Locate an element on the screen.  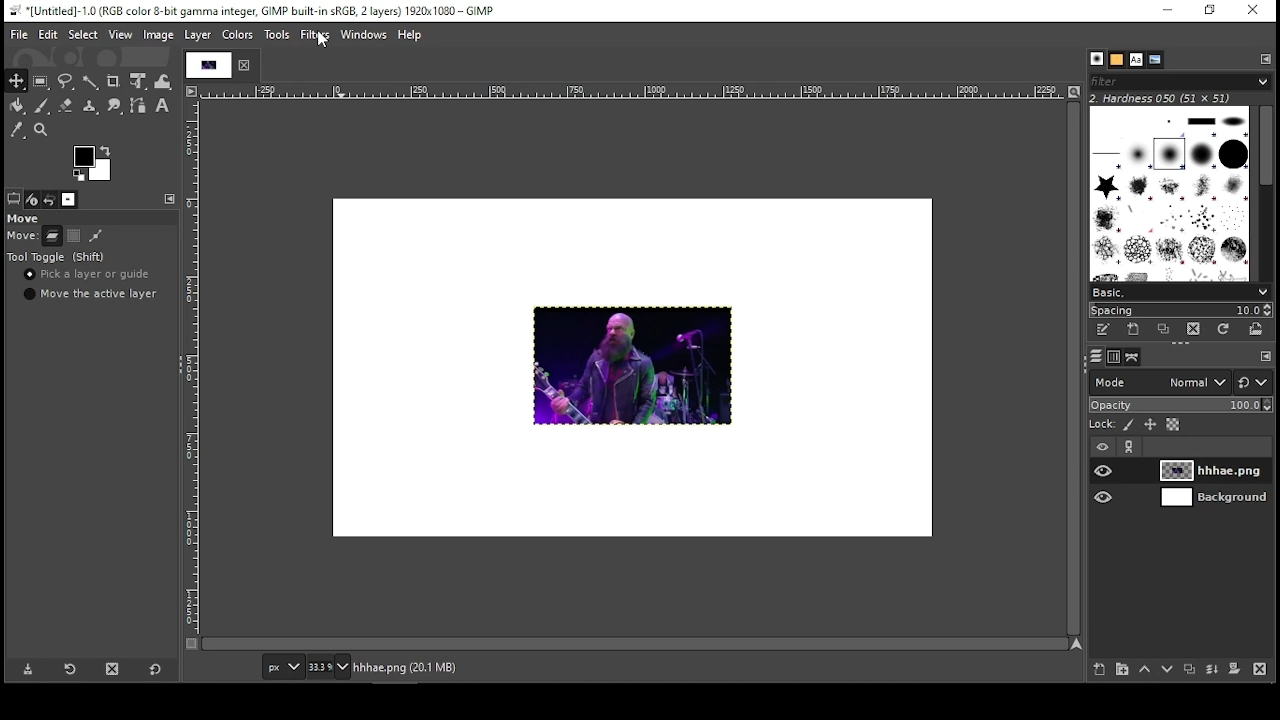
layer visibility is located at coordinates (1098, 447).